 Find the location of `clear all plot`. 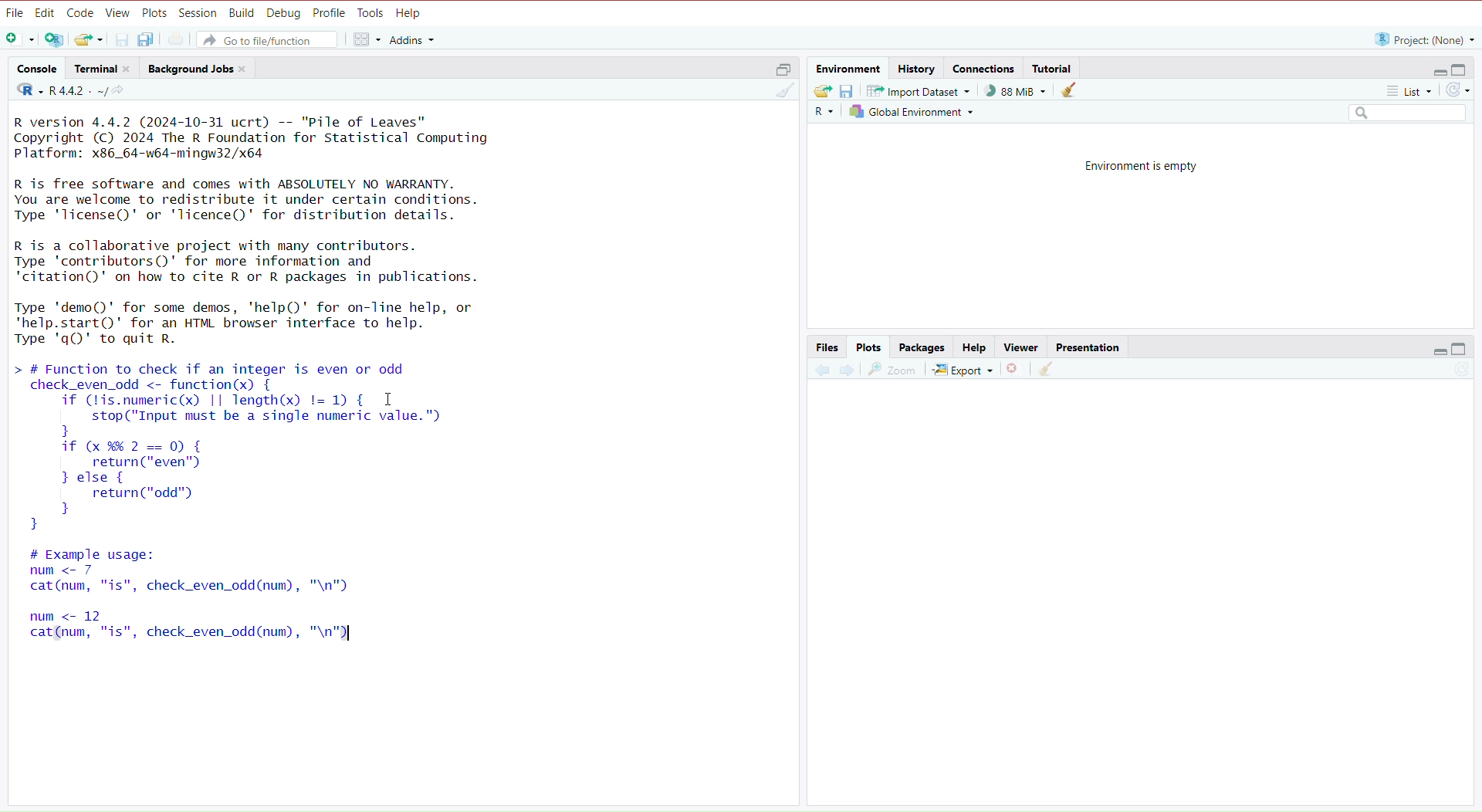

clear all plot is located at coordinates (1048, 370).